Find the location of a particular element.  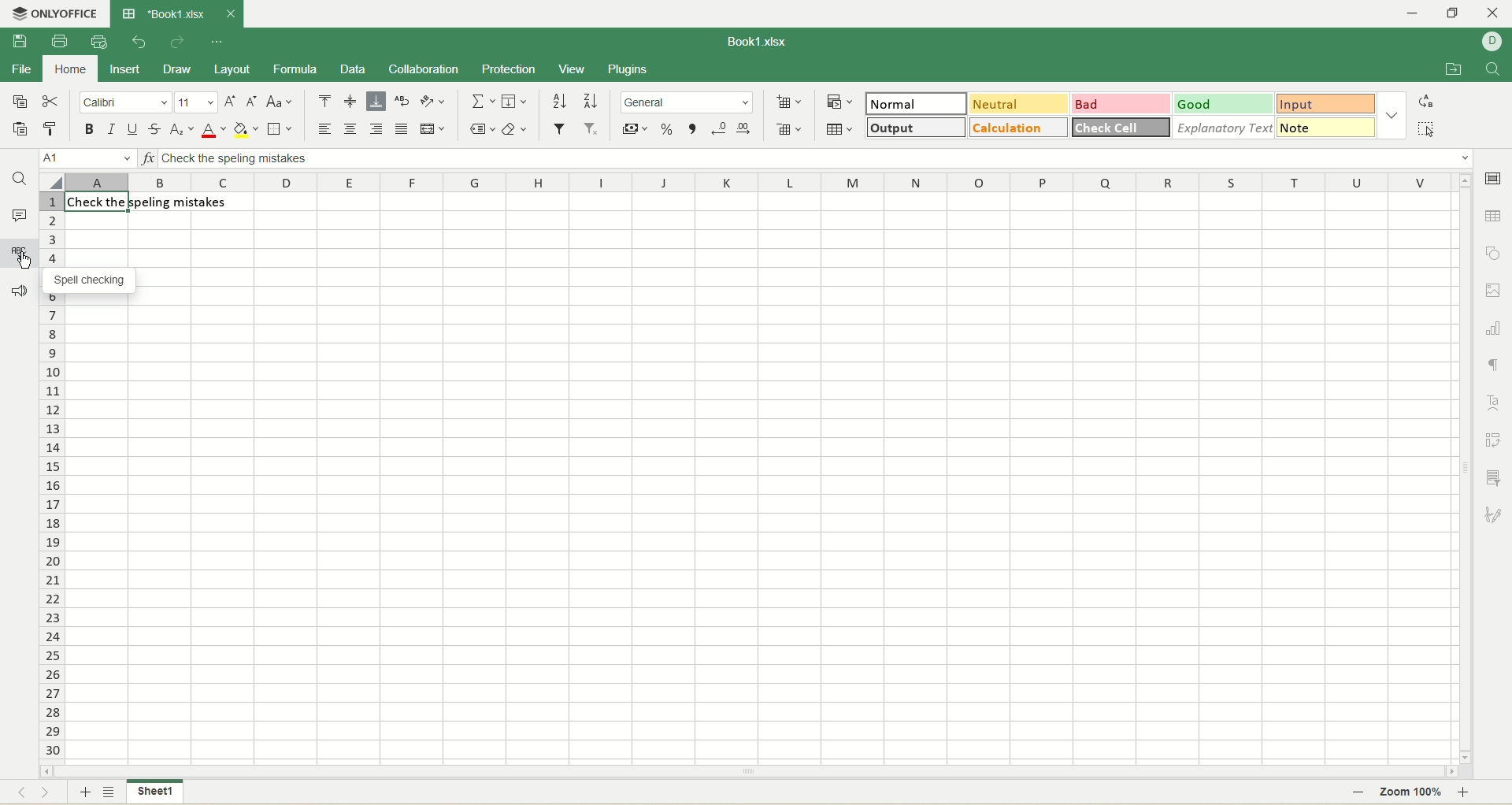

align left is located at coordinates (324, 128).